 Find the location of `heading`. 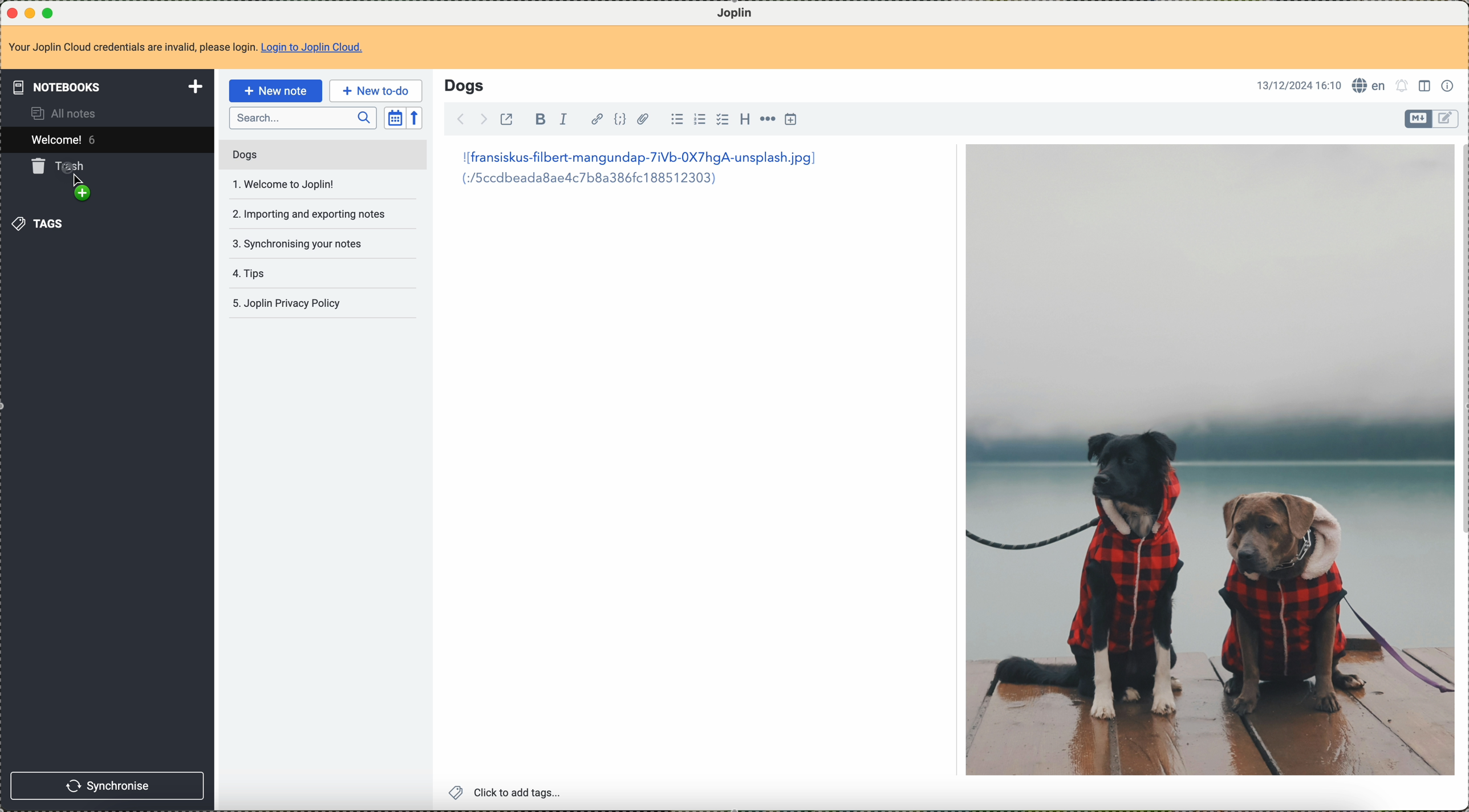

heading is located at coordinates (745, 120).